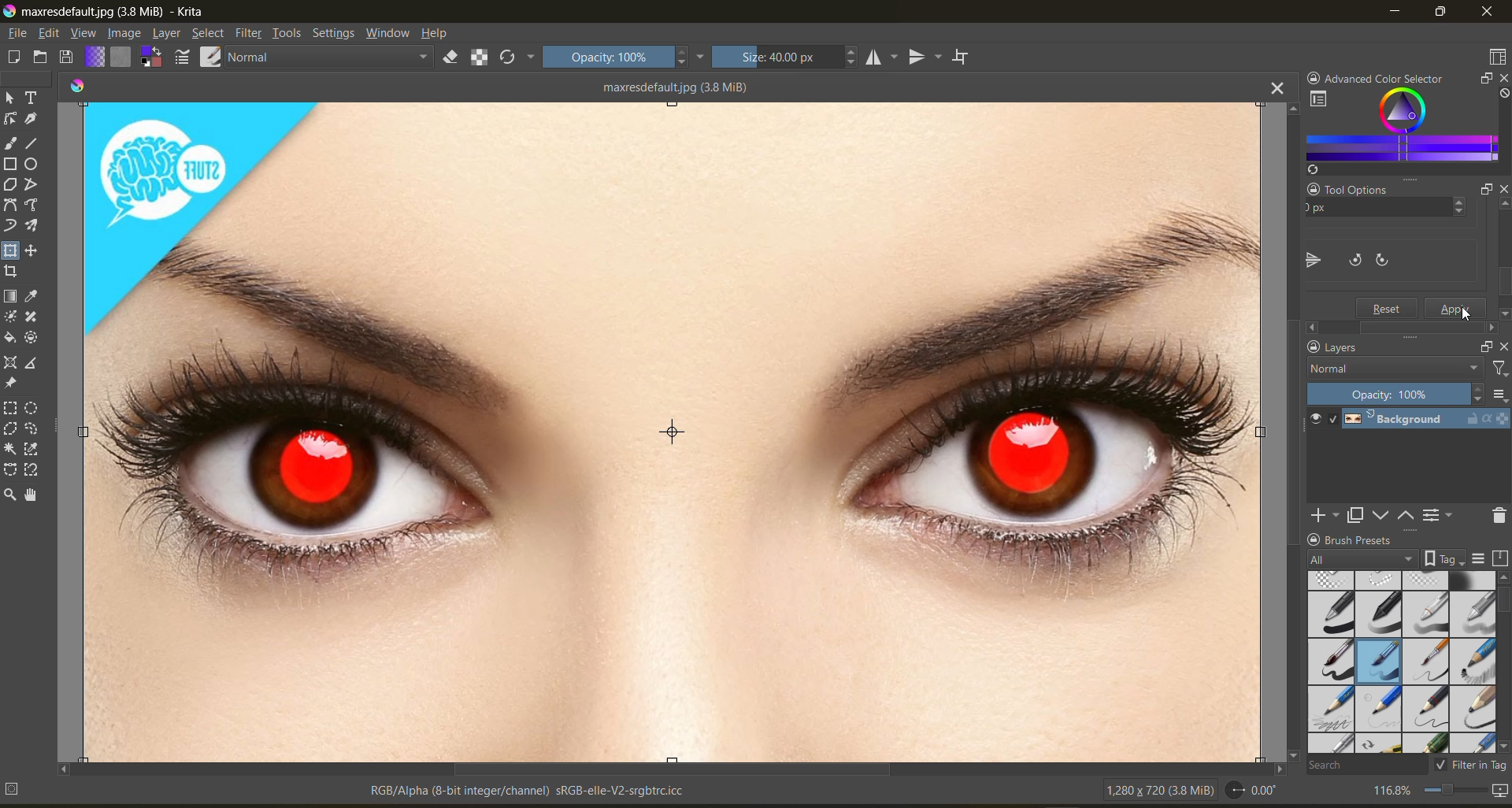  I want to click on tool, so click(31, 185).